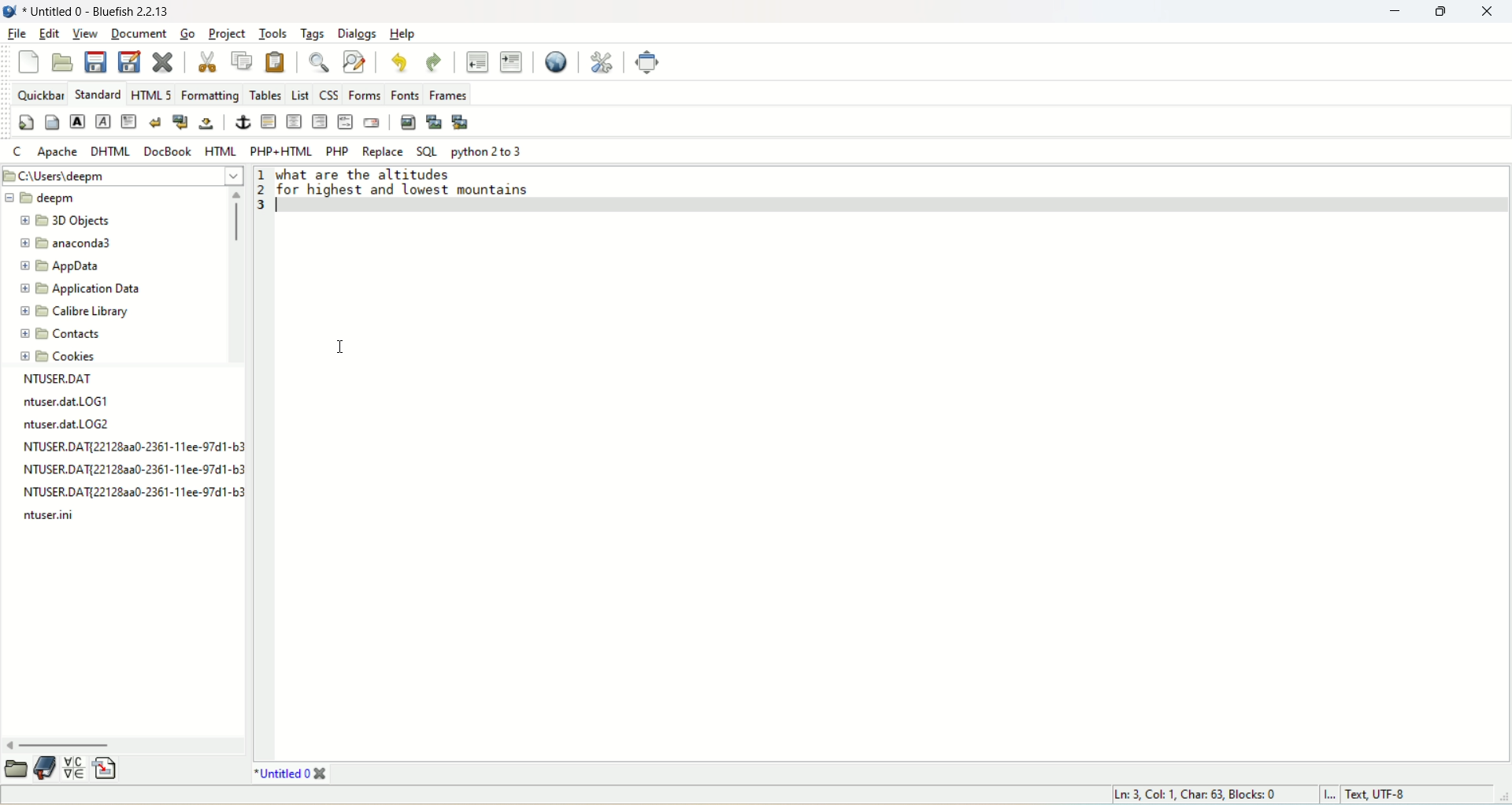 Image resolution: width=1512 pixels, height=805 pixels. I want to click on document, so click(140, 35).